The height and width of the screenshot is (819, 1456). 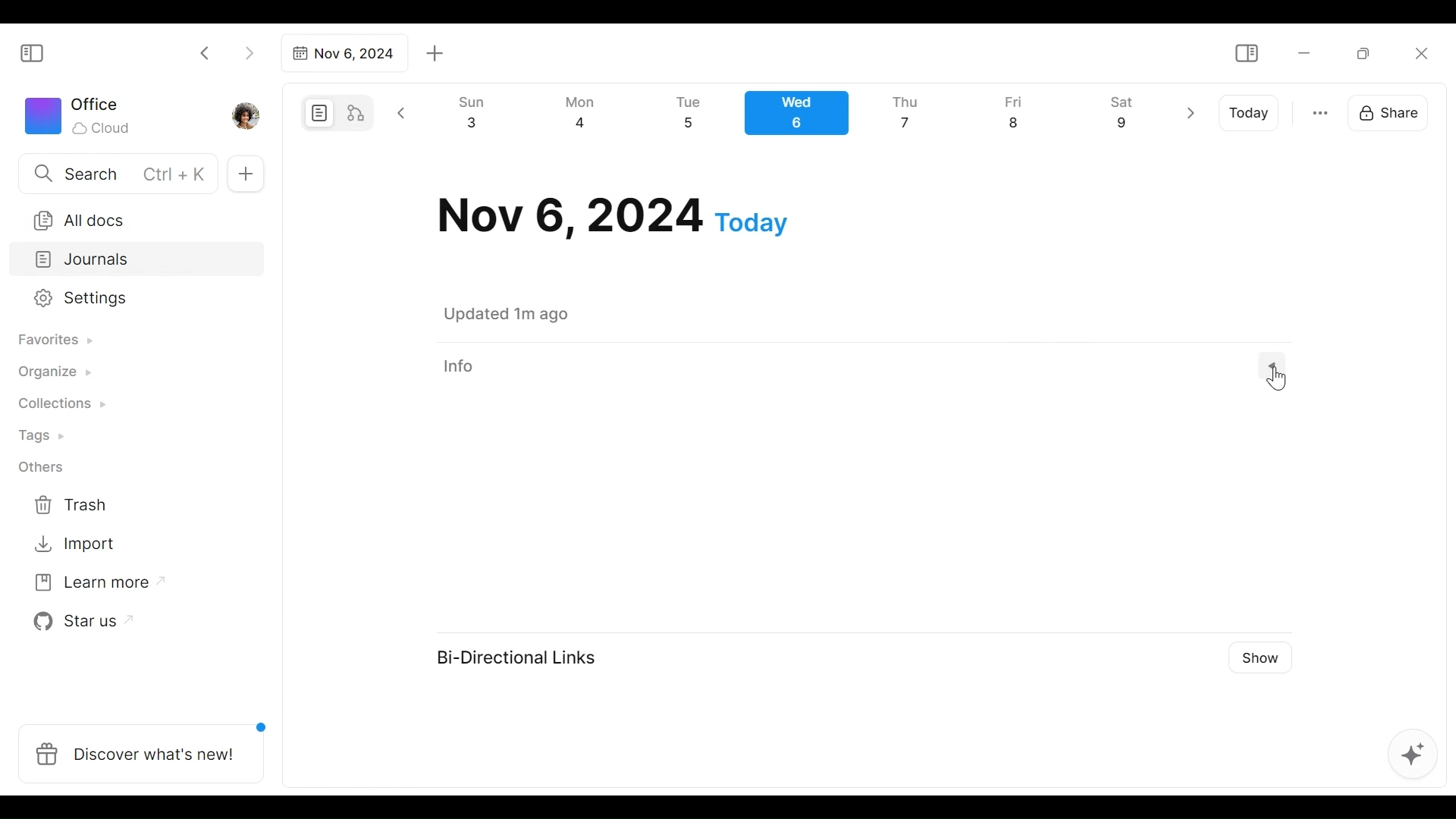 I want to click on more otions, so click(x=1320, y=111).